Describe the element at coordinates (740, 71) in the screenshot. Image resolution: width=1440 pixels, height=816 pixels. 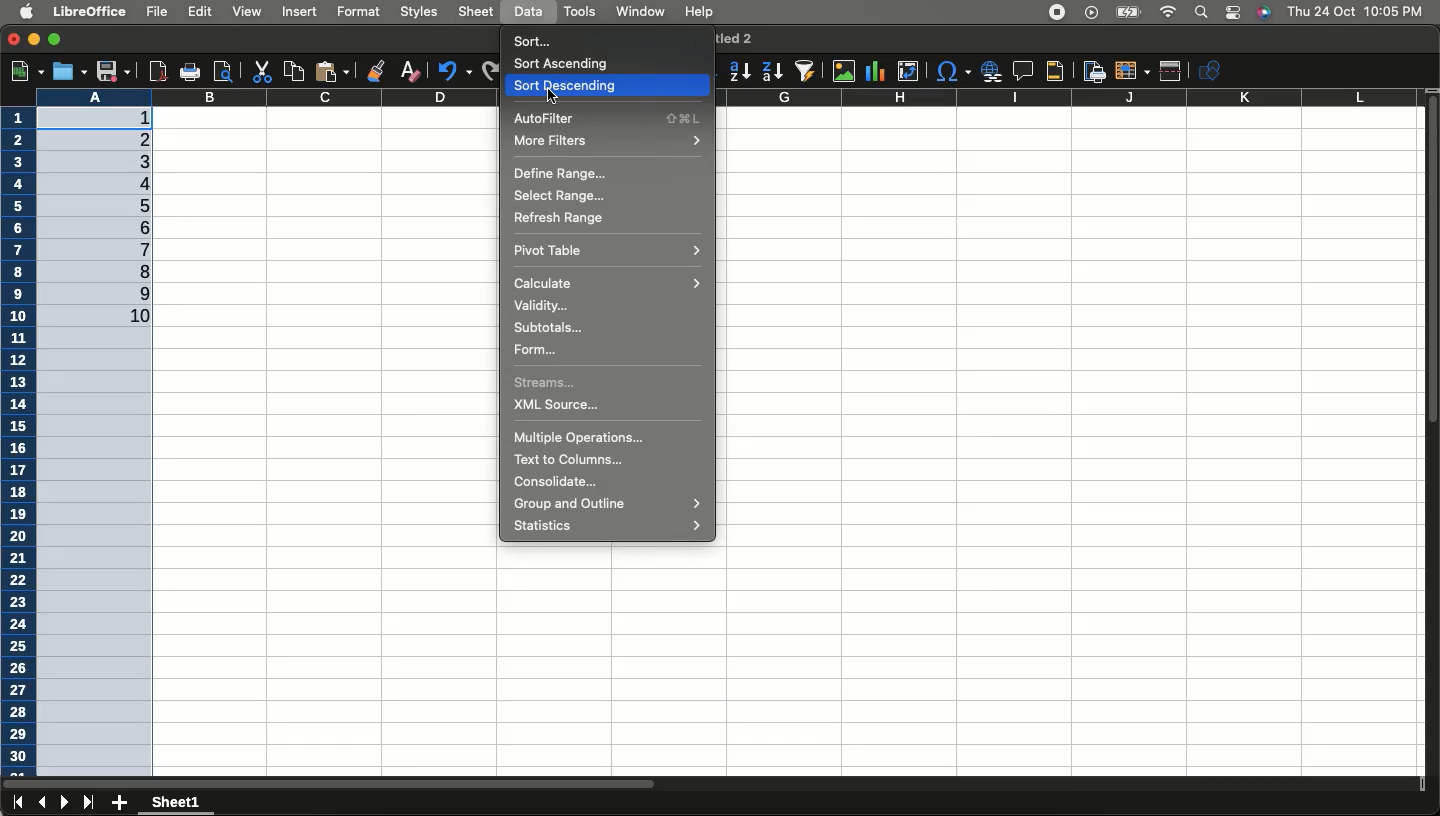
I see `Sort ascending` at that location.